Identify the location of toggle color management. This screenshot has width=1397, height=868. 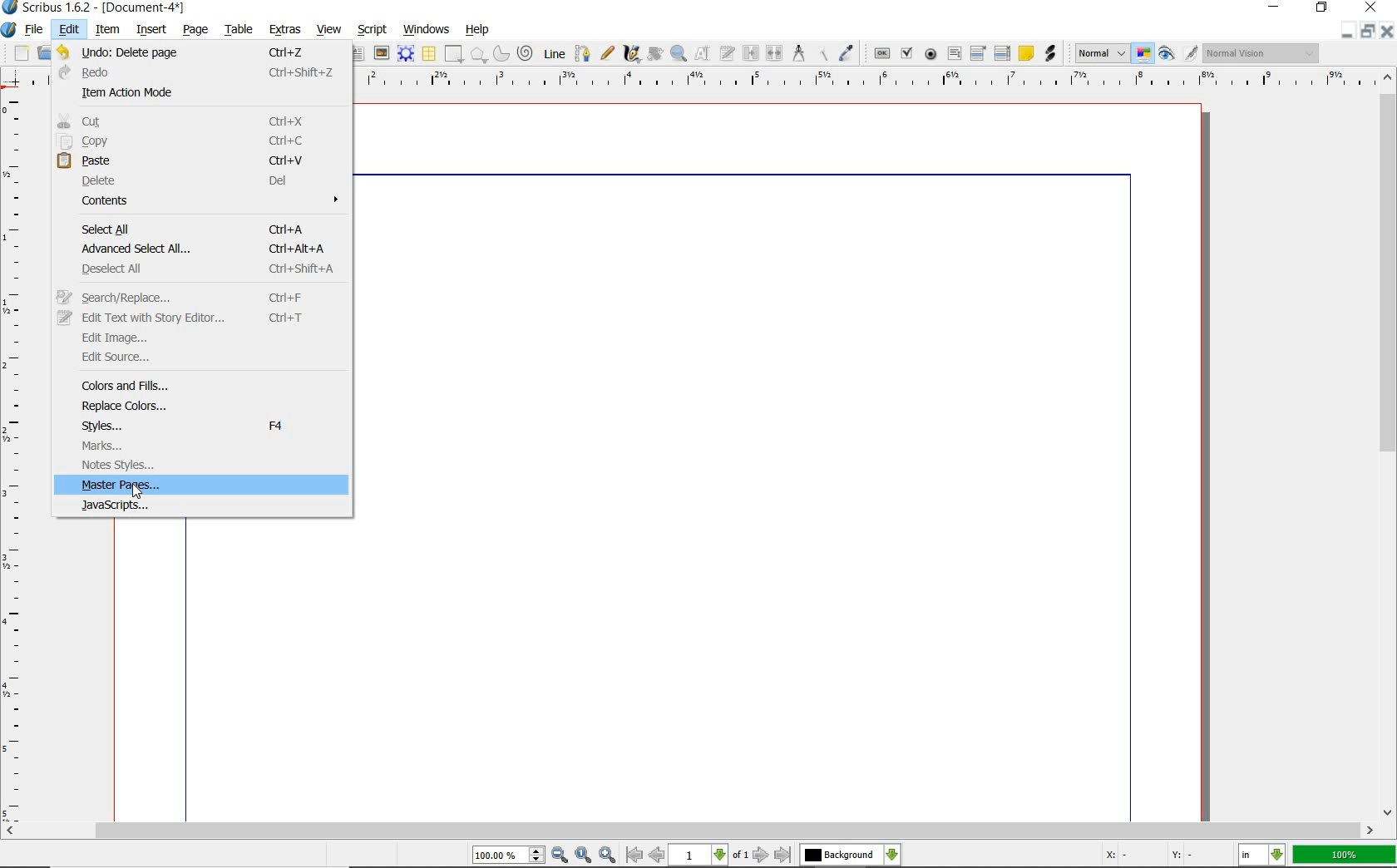
(1144, 55).